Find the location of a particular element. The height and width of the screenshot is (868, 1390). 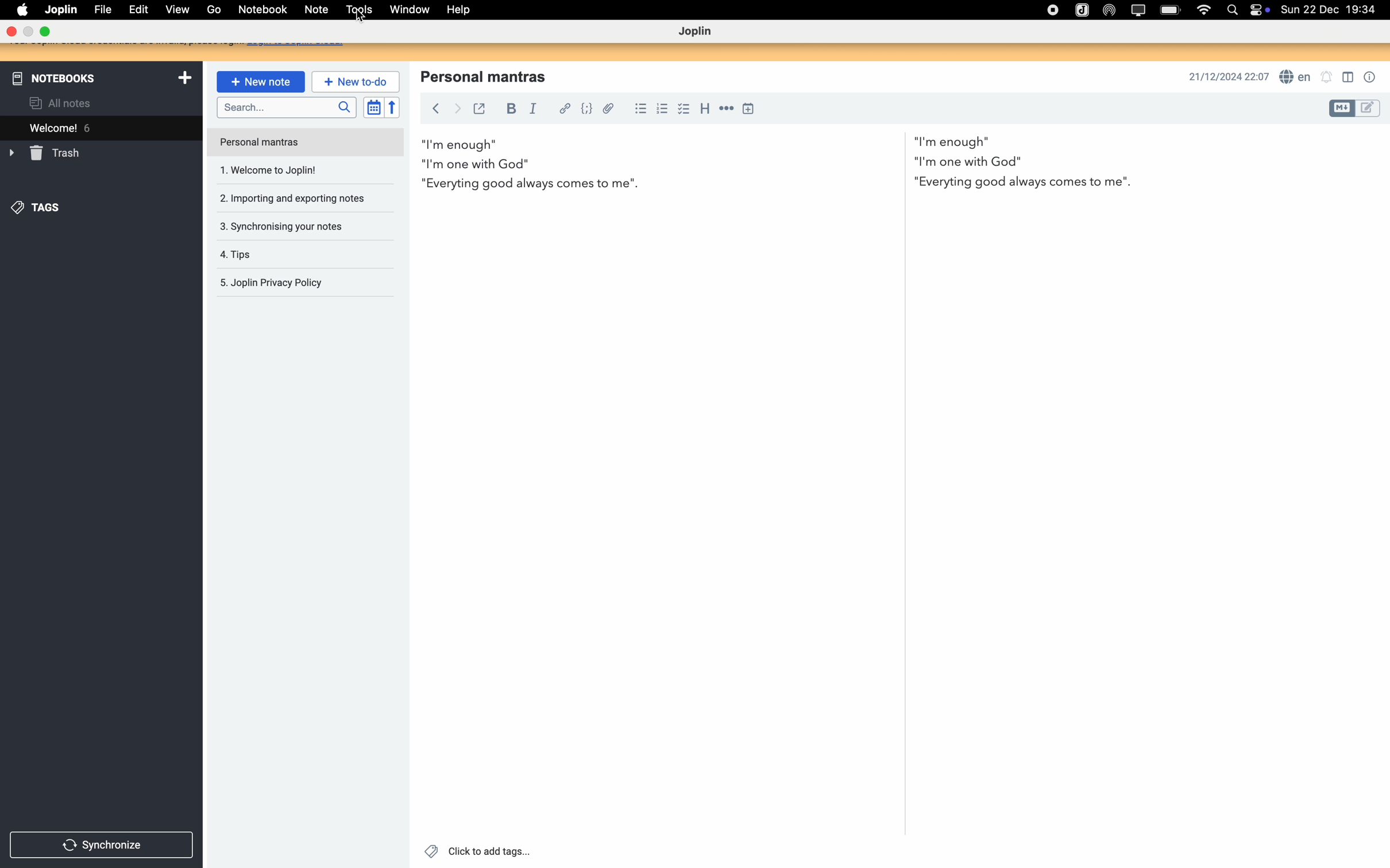

controls is located at coordinates (1260, 10).